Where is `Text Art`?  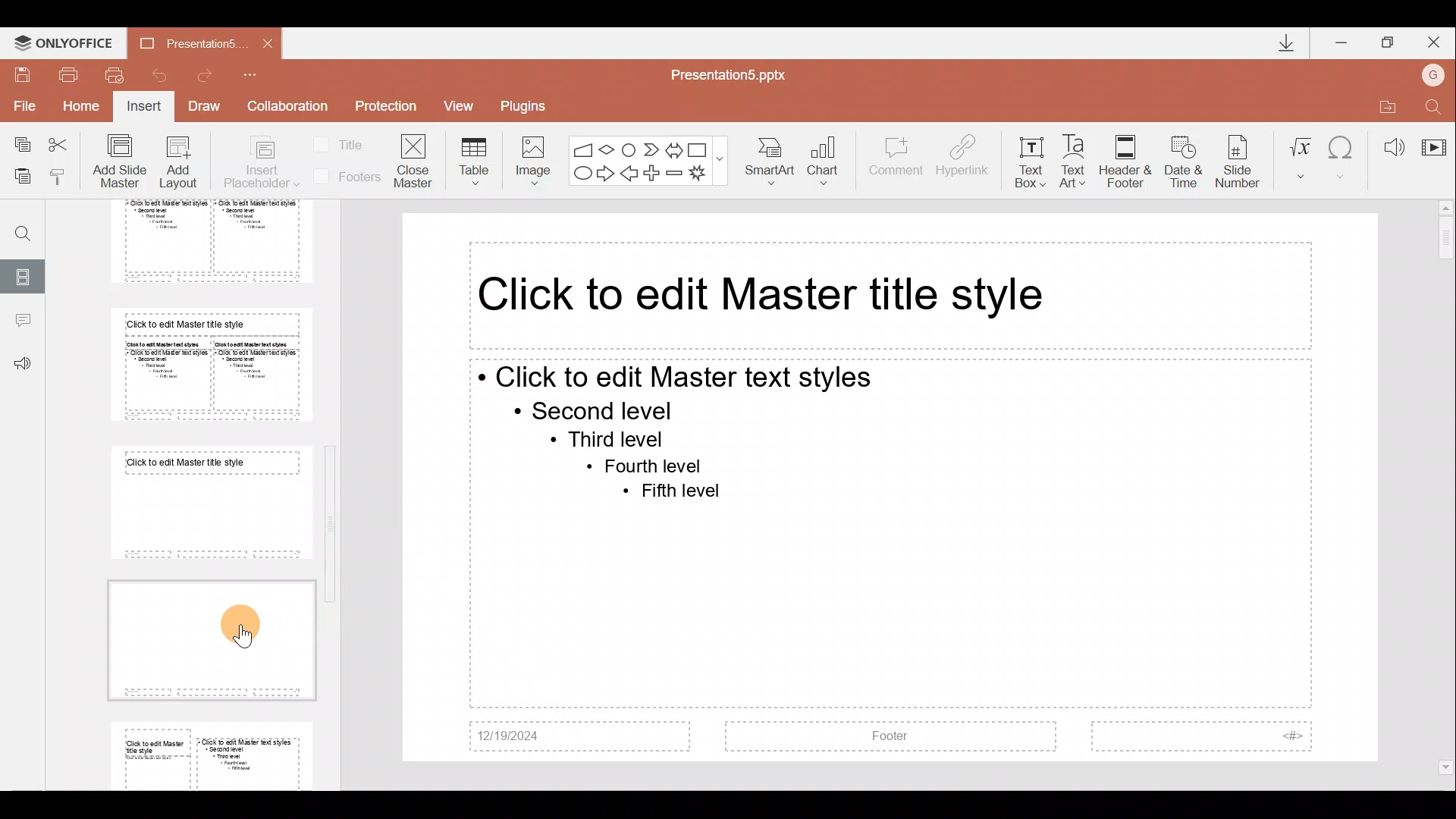
Text Art is located at coordinates (1077, 157).